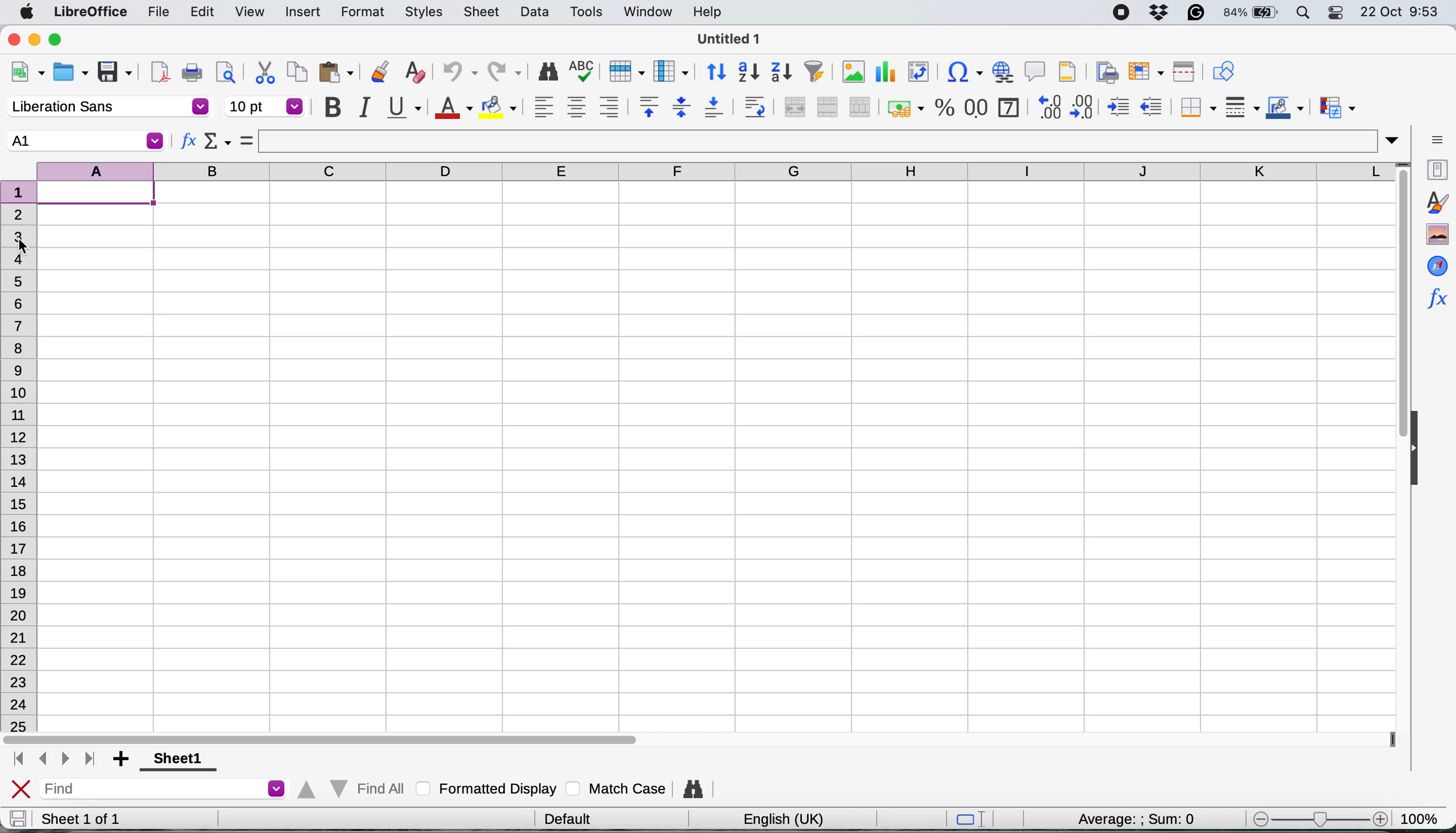 This screenshot has width=1456, height=833. Describe the element at coordinates (1047, 106) in the screenshot. I see `add decimal place` at that location.